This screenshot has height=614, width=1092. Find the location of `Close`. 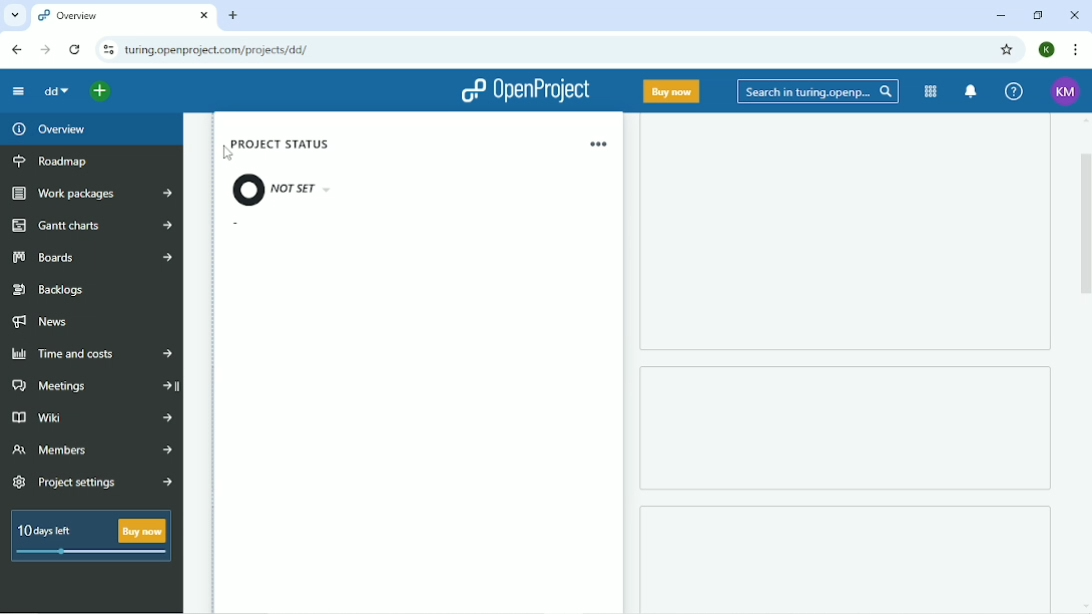

Close is located at coordinates (1075, 16).